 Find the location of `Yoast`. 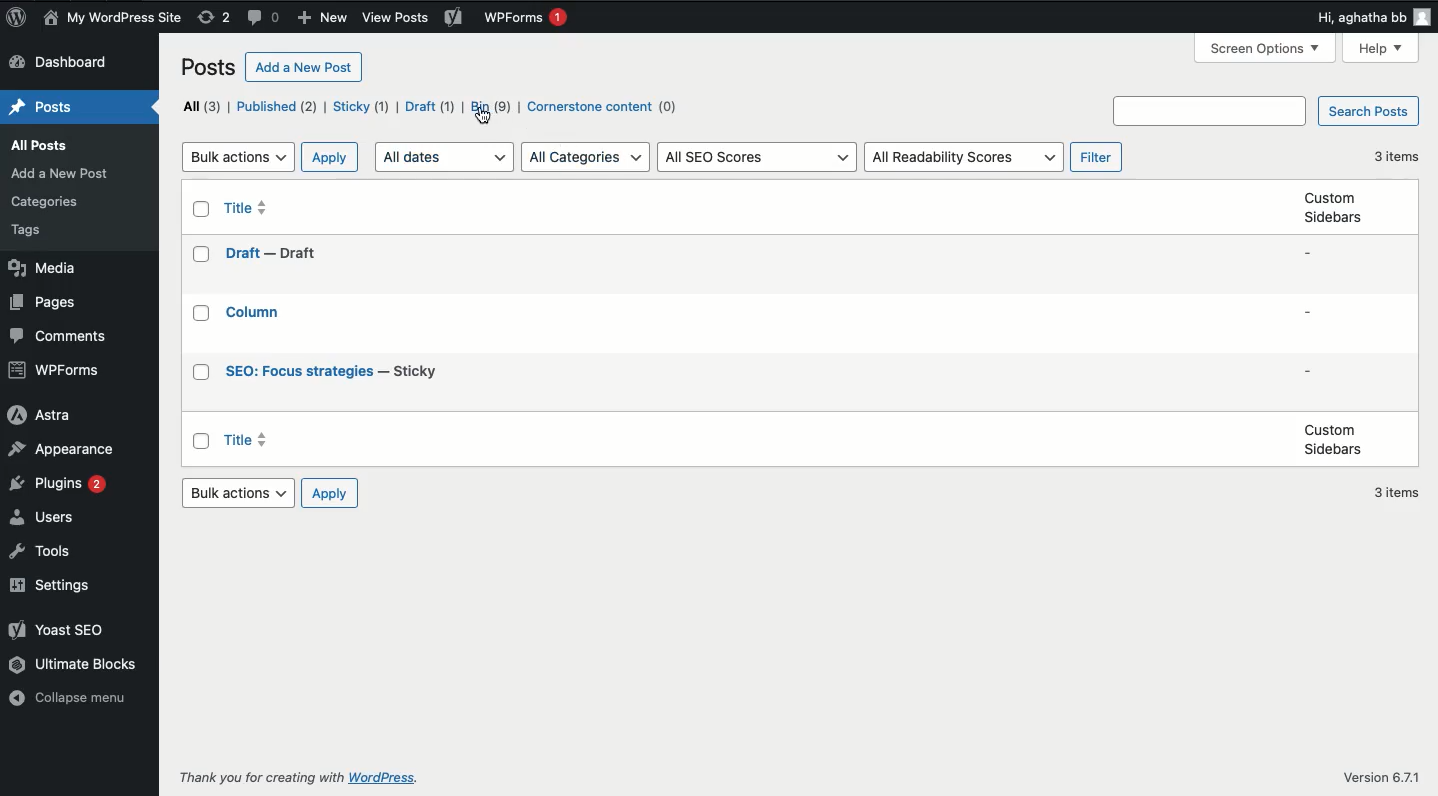

Yoast is located at coordinates (66, 631).